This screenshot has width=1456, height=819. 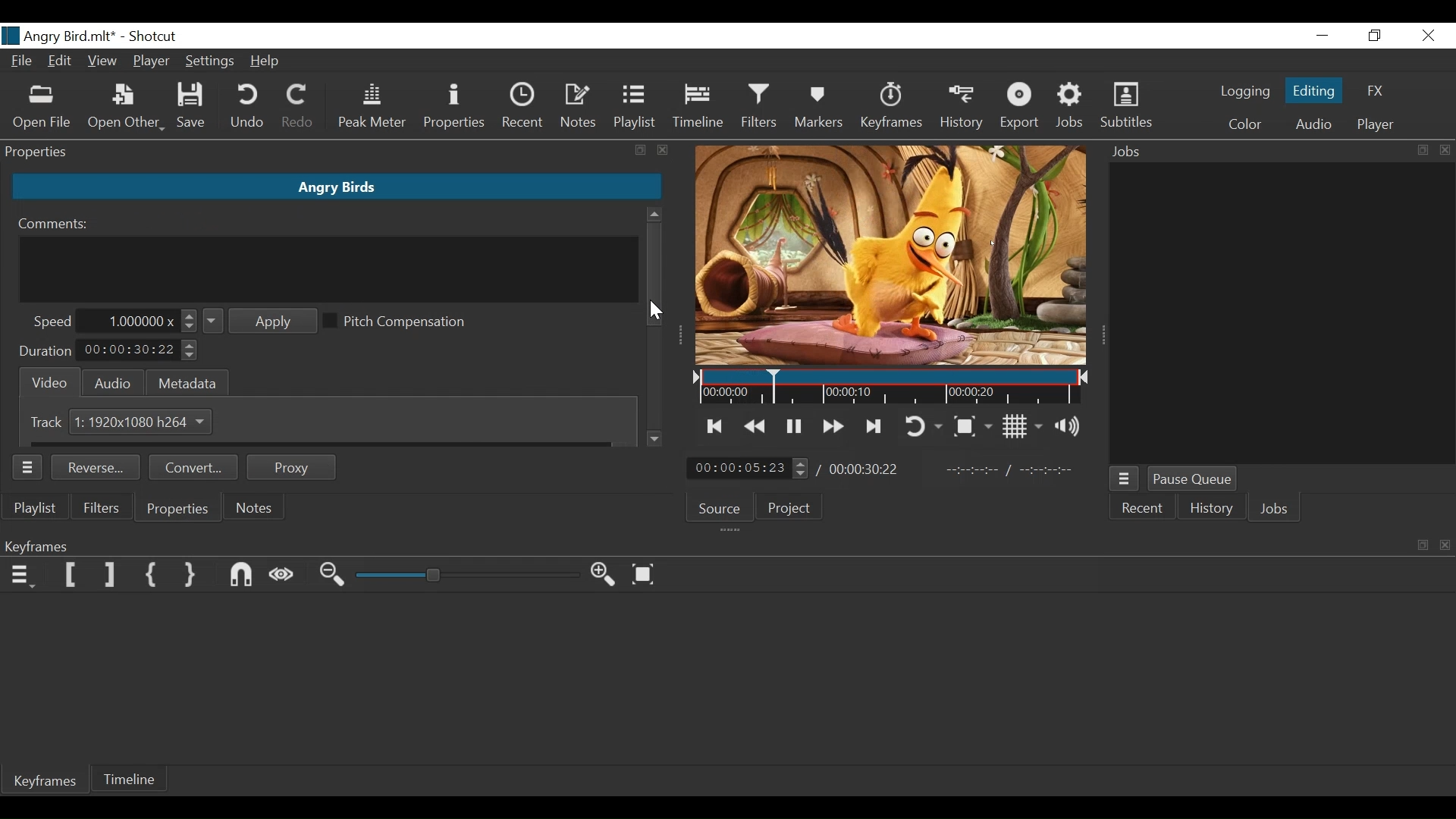 What do you see at coordinates (57, 421) in the screenshot?
I see `Track 1` at bounding box center [57, 421].